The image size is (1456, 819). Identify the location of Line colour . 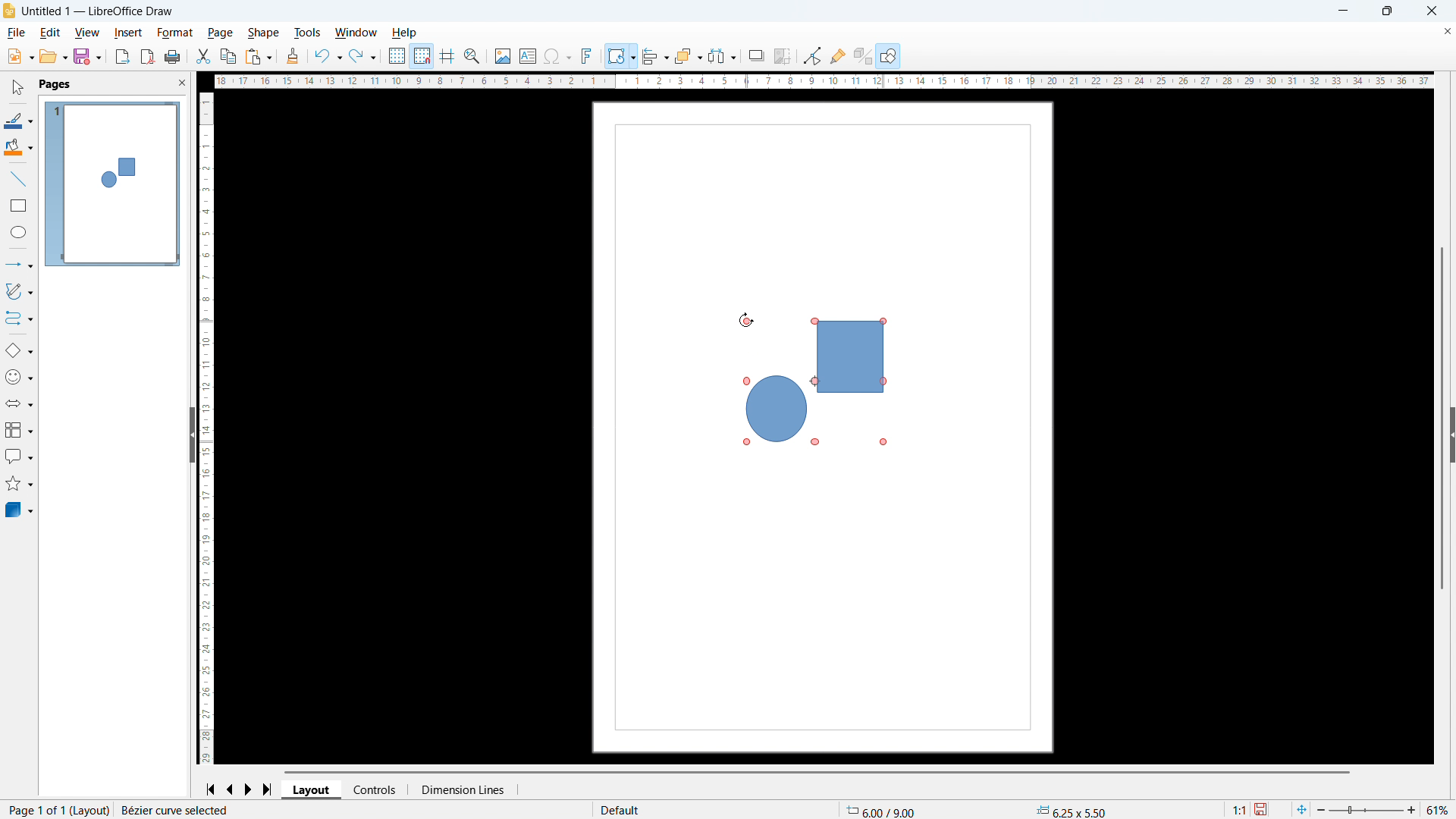
(19, 121).